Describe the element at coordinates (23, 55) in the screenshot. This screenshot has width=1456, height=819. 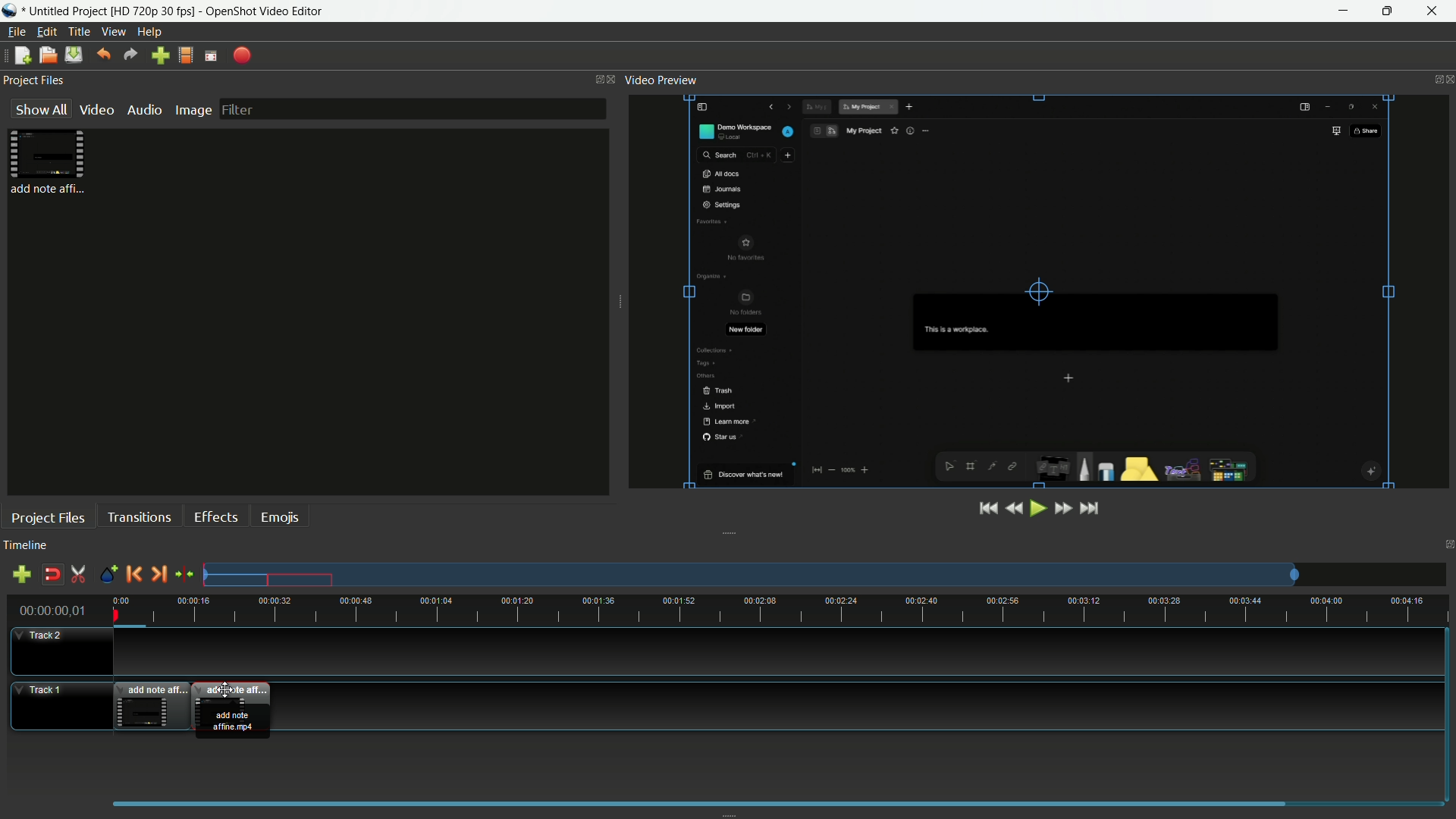
I see `new file` at that location.